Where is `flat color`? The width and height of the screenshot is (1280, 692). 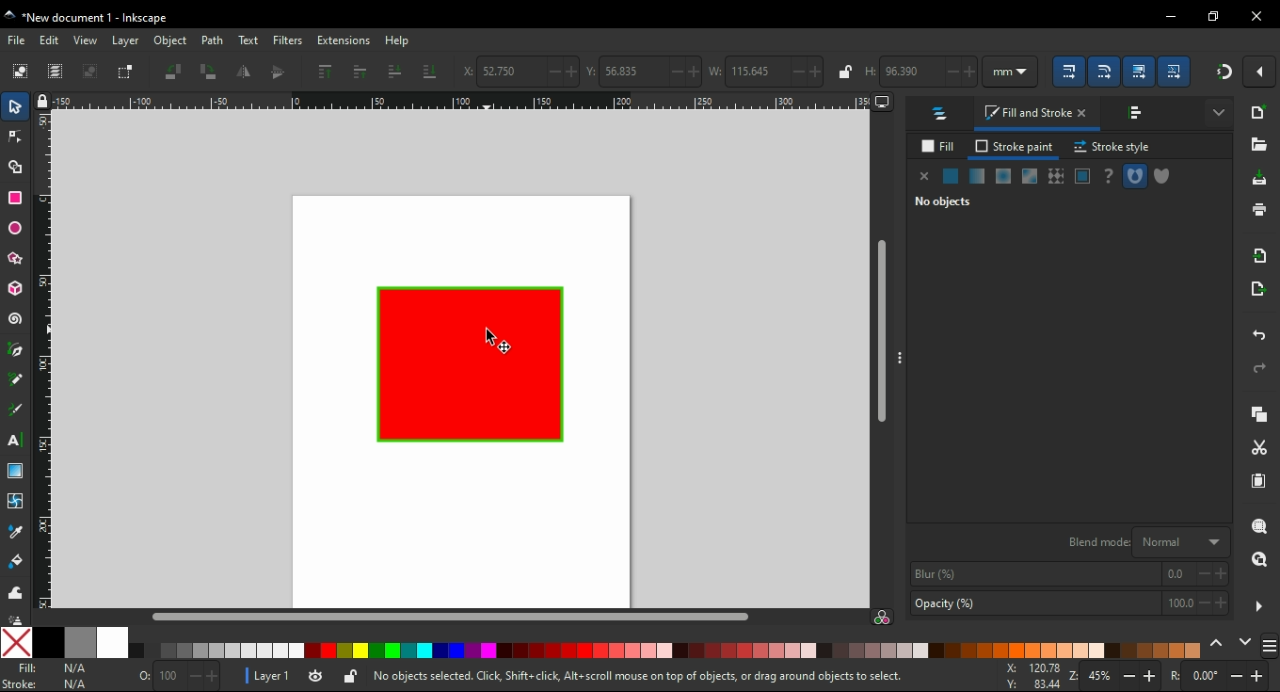
flat color is located at coordinates (951, 176).